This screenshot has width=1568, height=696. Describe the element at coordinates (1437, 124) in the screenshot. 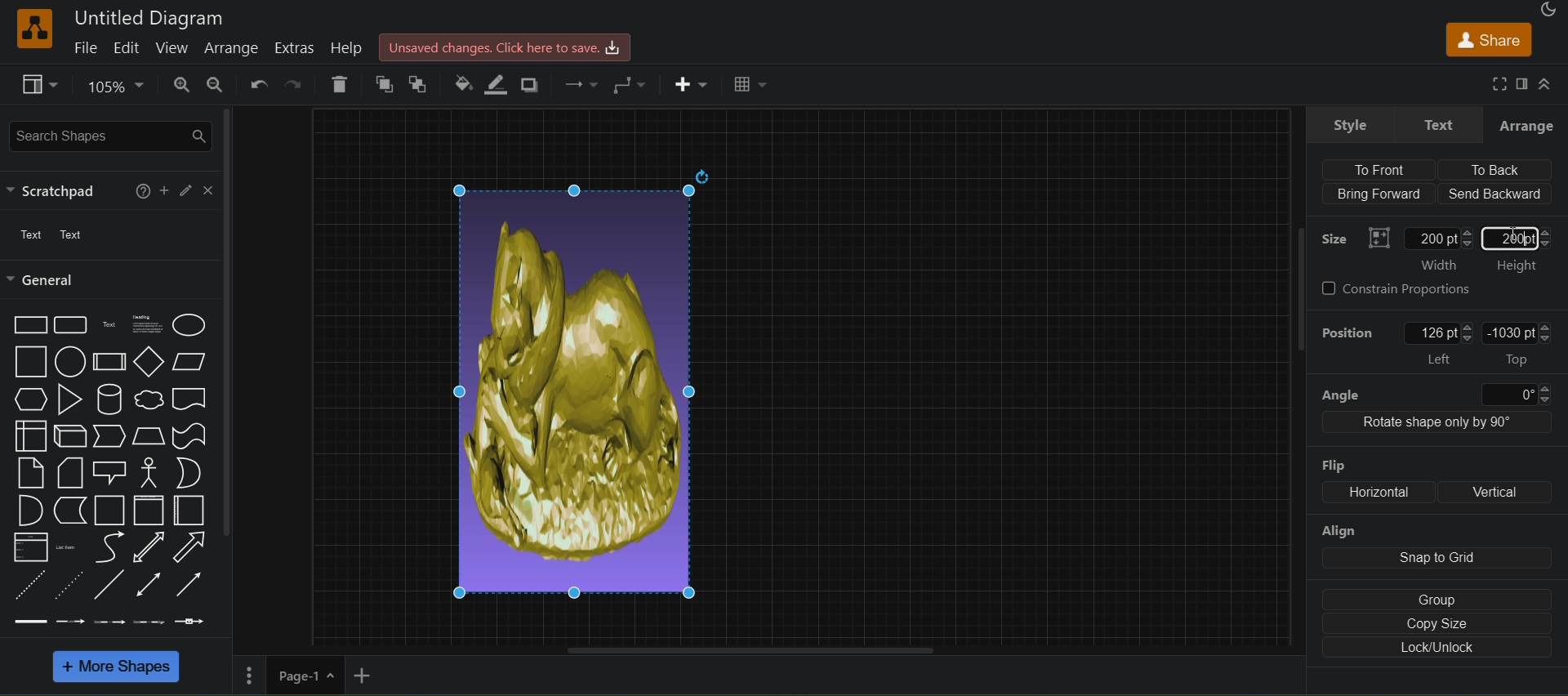

I see `text` at that location.